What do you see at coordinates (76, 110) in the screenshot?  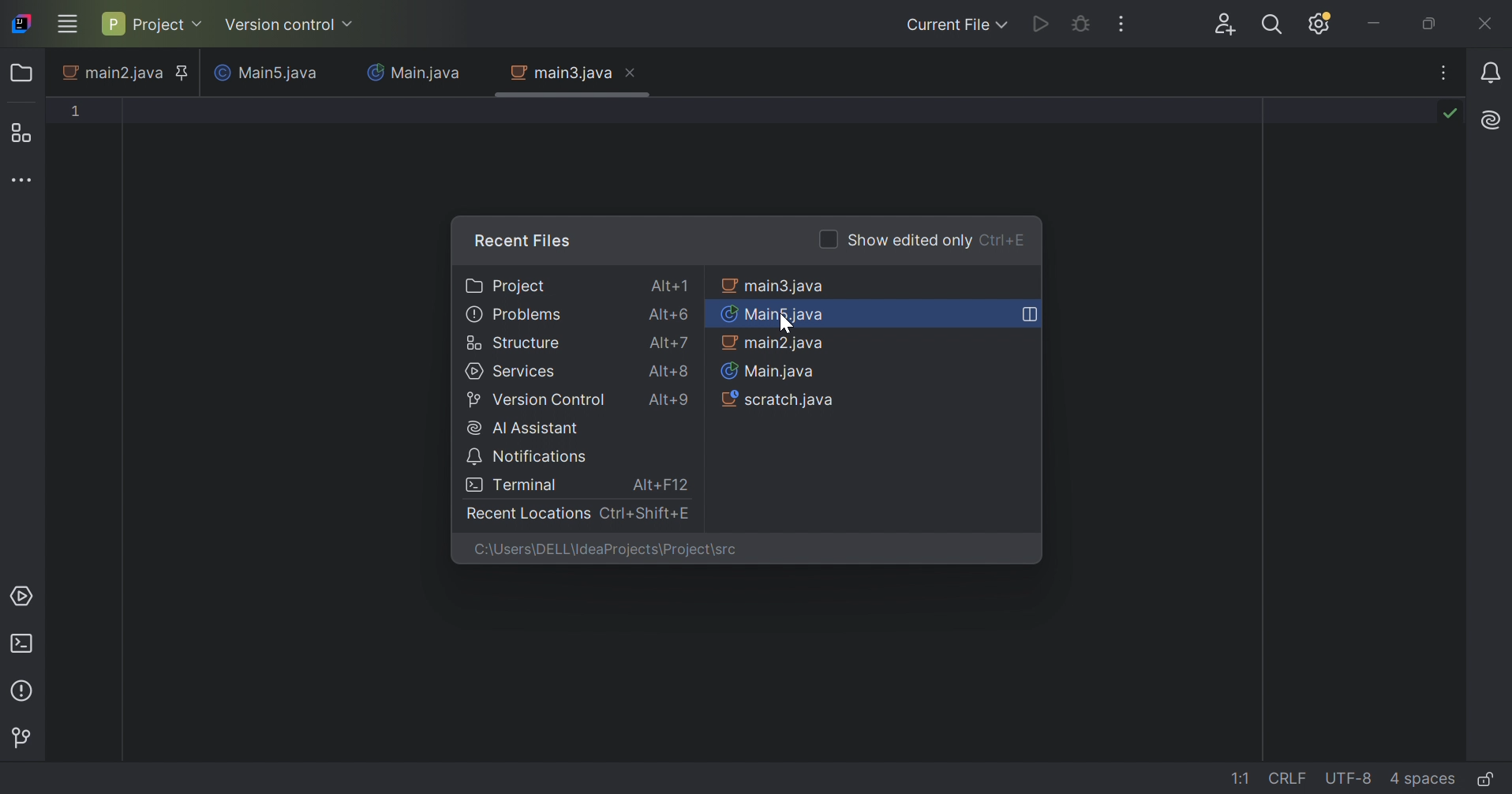 I see `1` at bounding box center [76, 110].